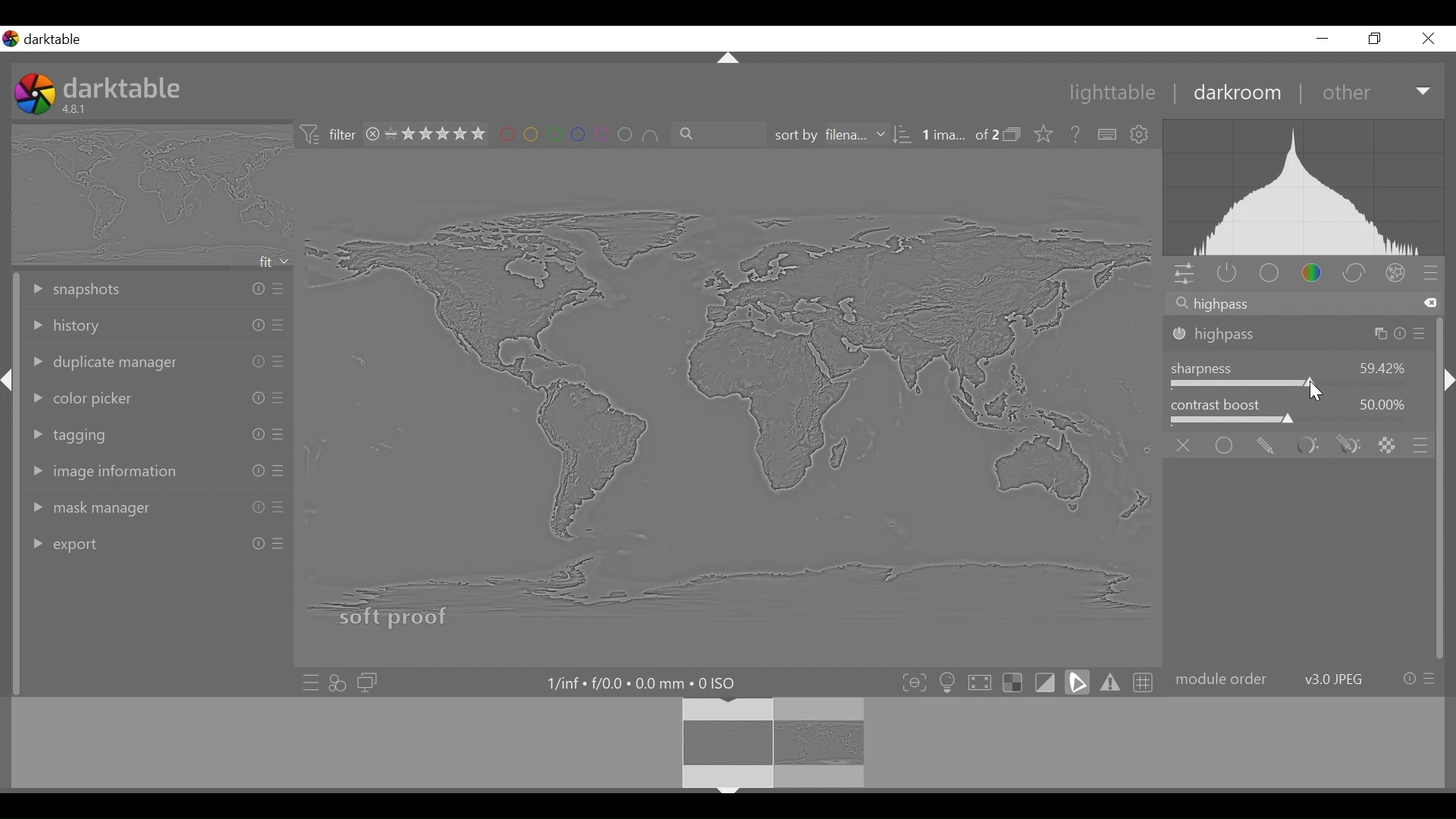 The height and width of the screenshot is (819, 1456). I want to click on Histogram, so click(1309, 187).